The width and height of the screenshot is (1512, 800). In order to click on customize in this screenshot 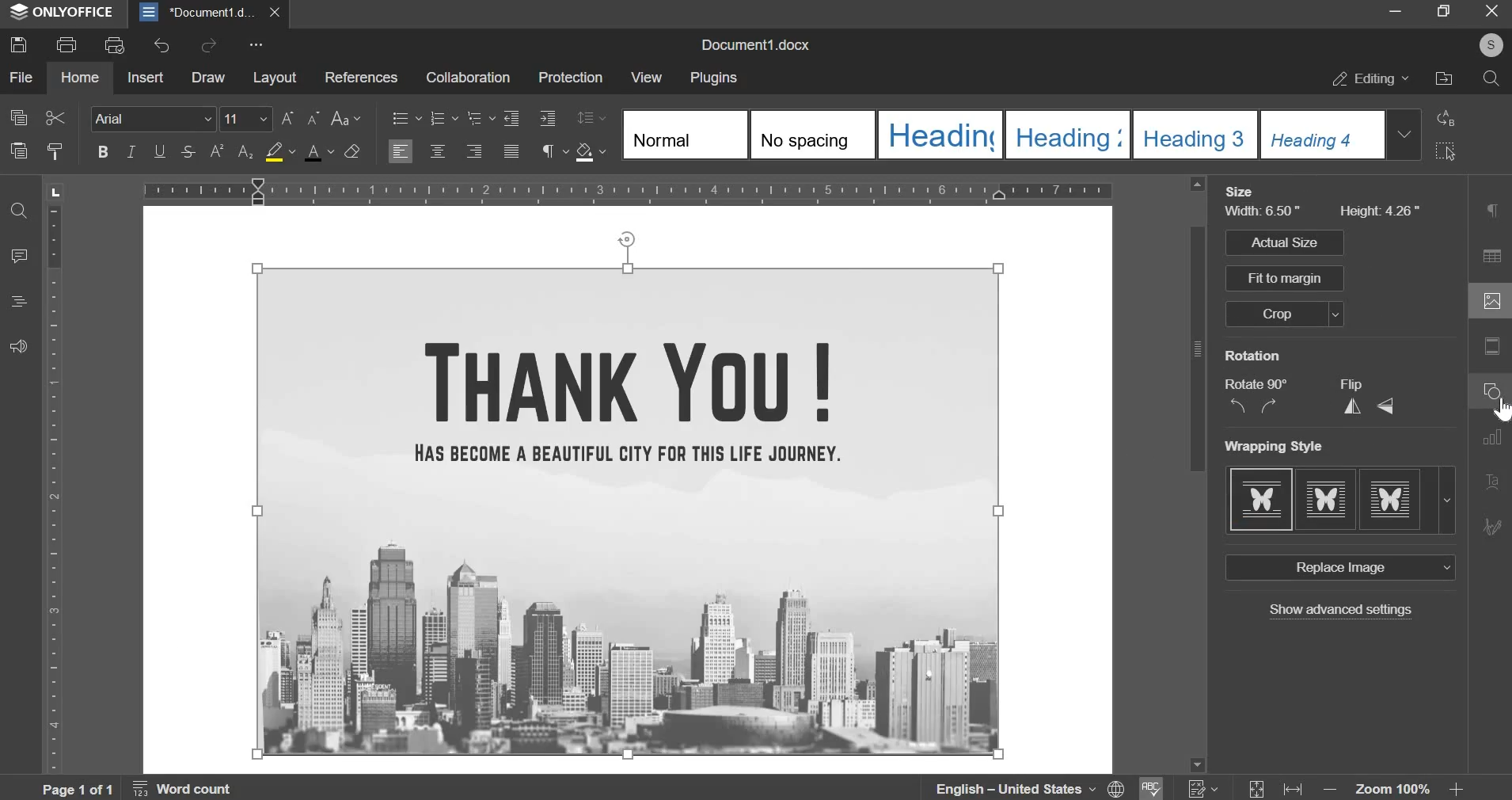, I will do `click(256, 46)`.